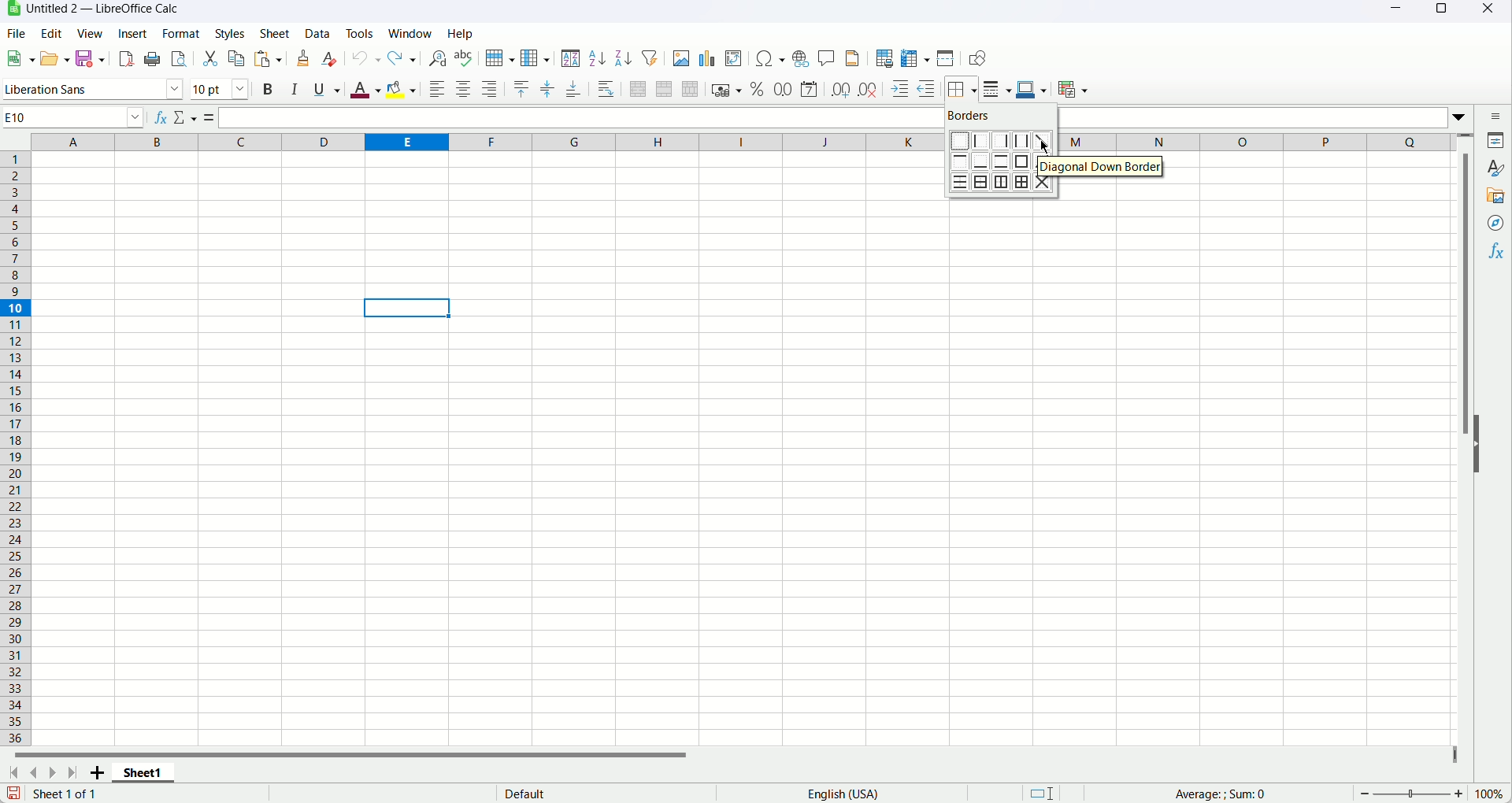 This screenshot has width=1512, height=803. What do you see at coordinates (187, 117) in the screenshot?
I see `Select function` at bounding box center [187, 117].